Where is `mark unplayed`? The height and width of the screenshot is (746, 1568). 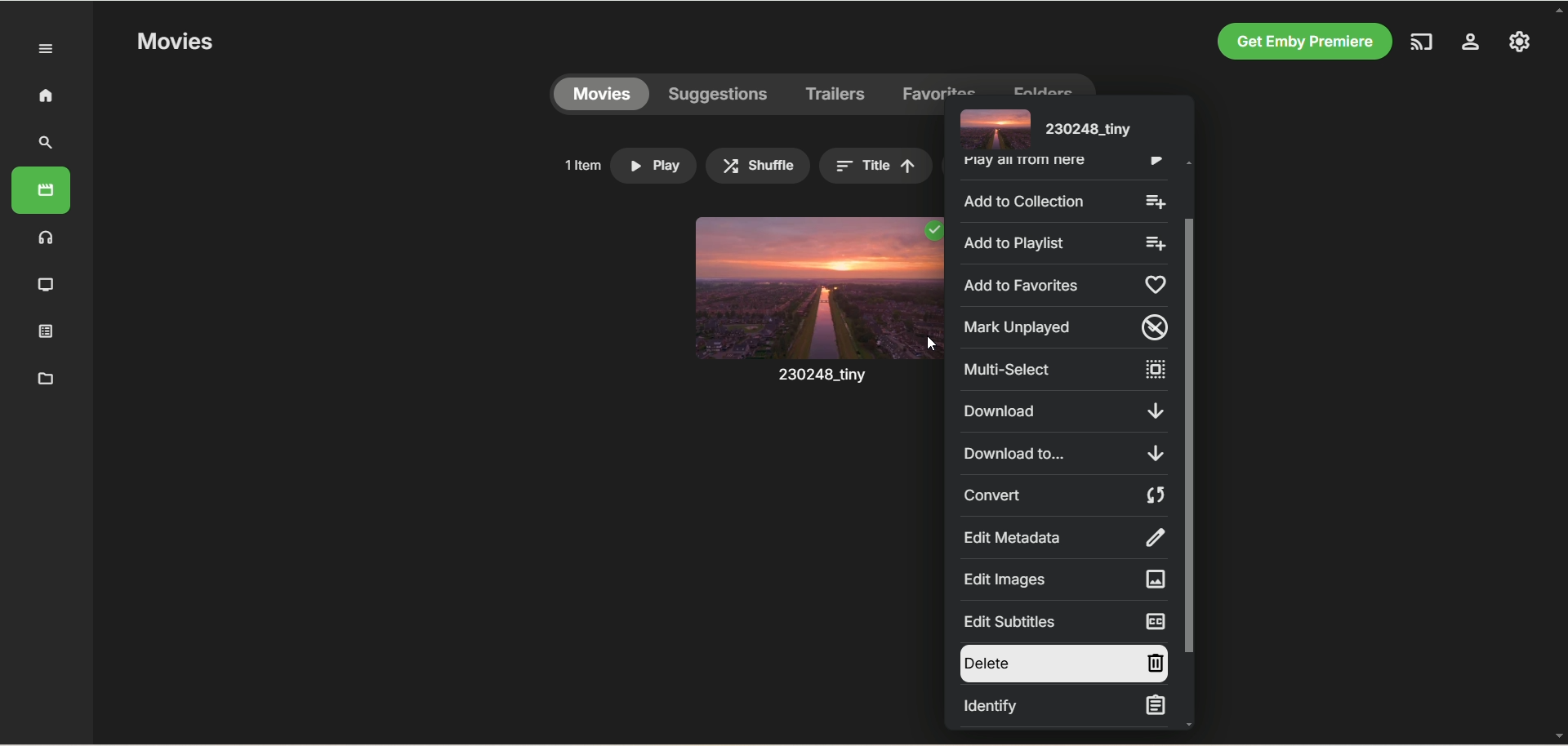
mark unplayed is located at coordinates (1061, 326).